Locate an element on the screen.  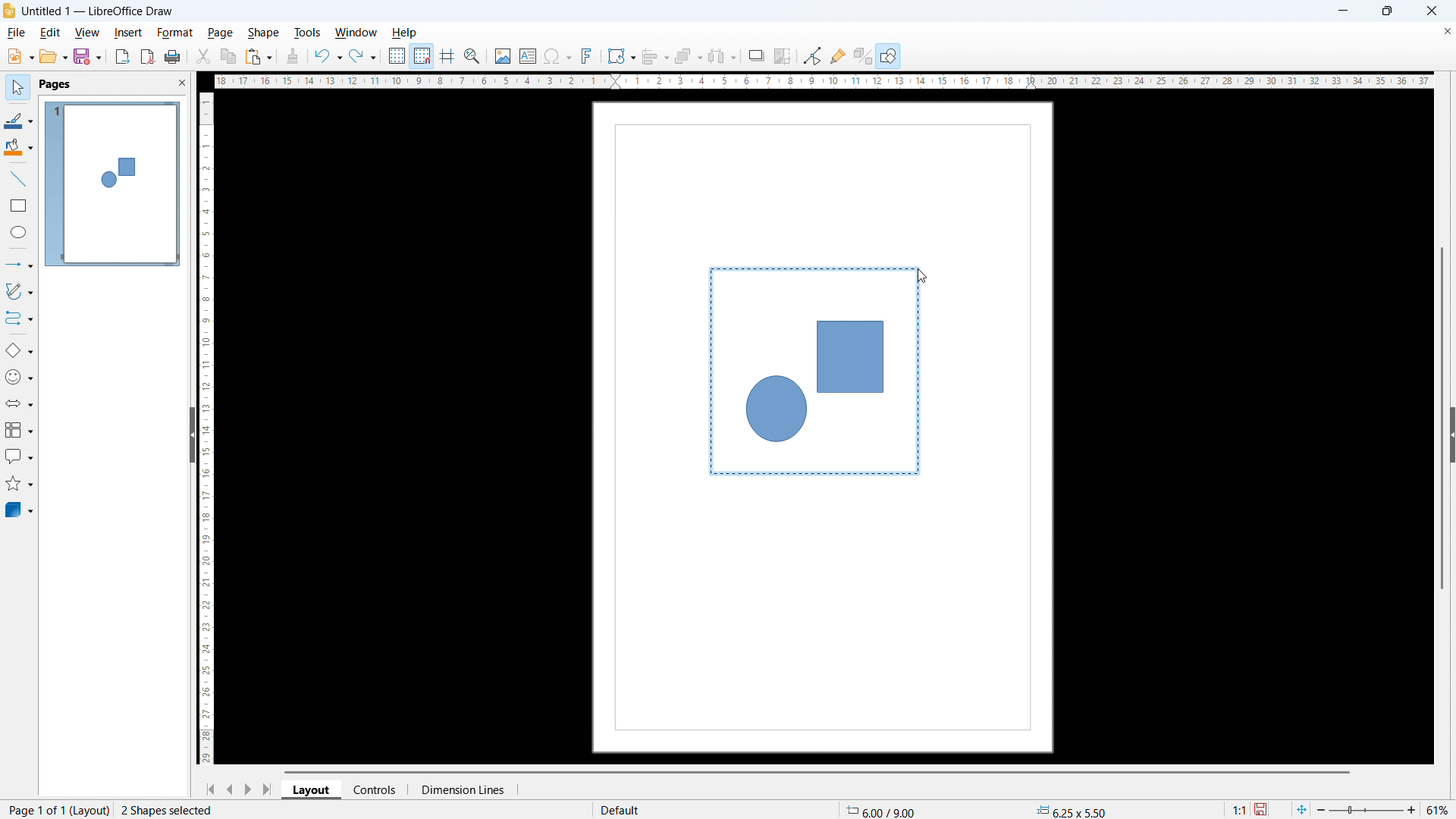
insert image is located at coordinates (503, 57).